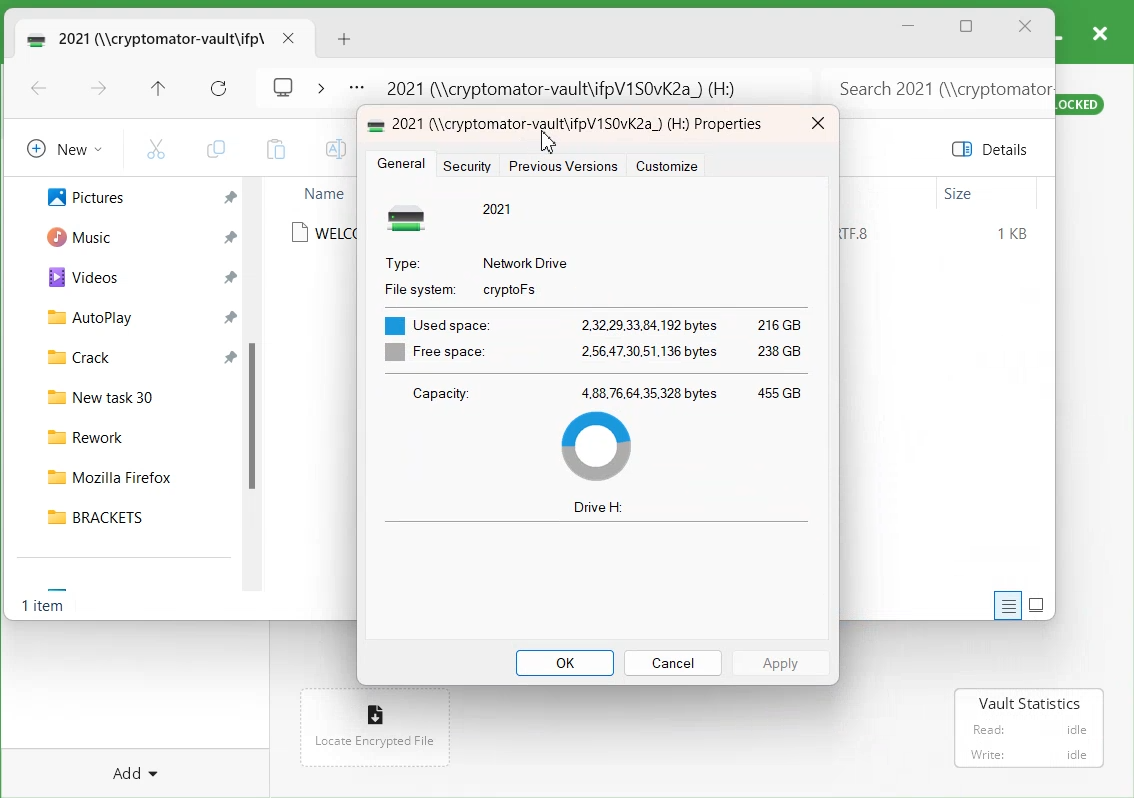  What do you see at coordinates (320, 86) in the screenshot?
I see `Drop down box` at bounding box center [320, 86].